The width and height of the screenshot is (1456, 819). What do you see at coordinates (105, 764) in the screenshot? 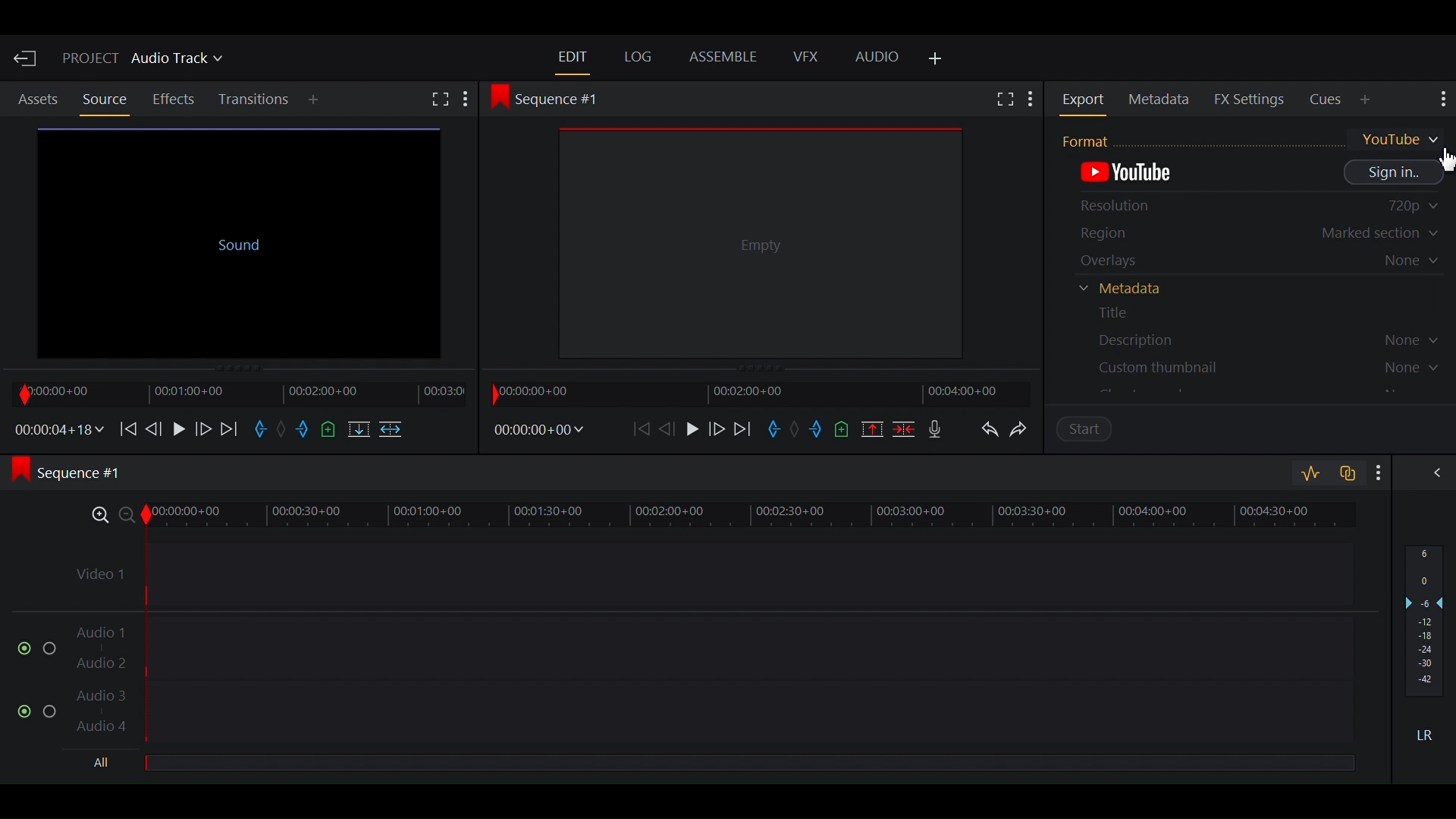
I see `All` at bounding box center [105, 764].